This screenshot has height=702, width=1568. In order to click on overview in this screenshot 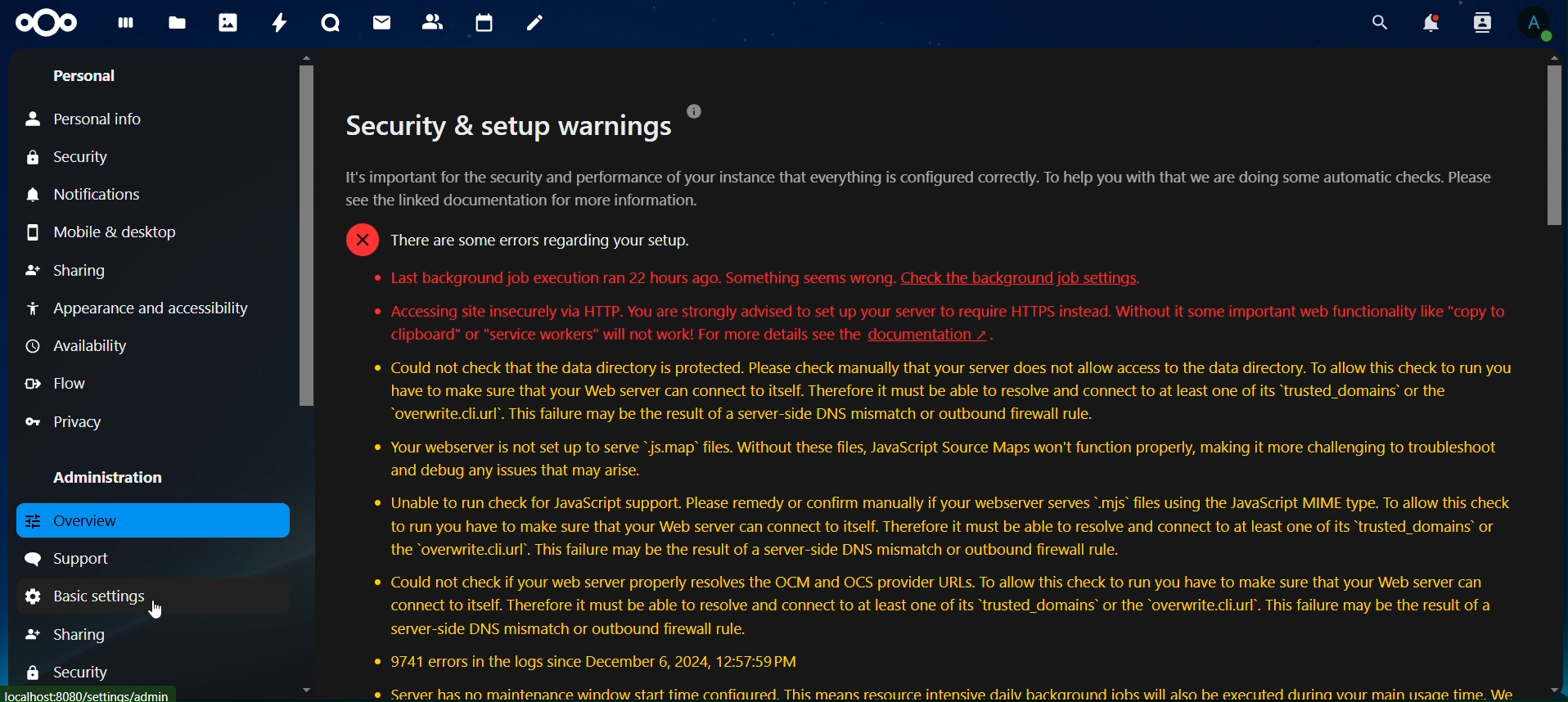, I will do `click(145, 520)`.